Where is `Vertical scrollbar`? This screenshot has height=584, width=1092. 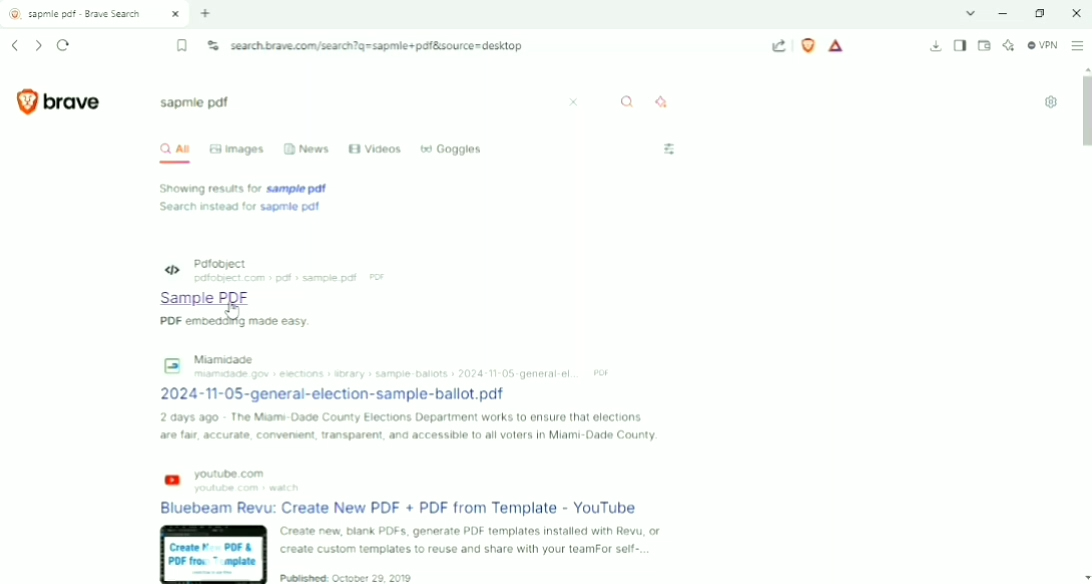 Vertical scrollbar is located at coordinates (1085, 112).